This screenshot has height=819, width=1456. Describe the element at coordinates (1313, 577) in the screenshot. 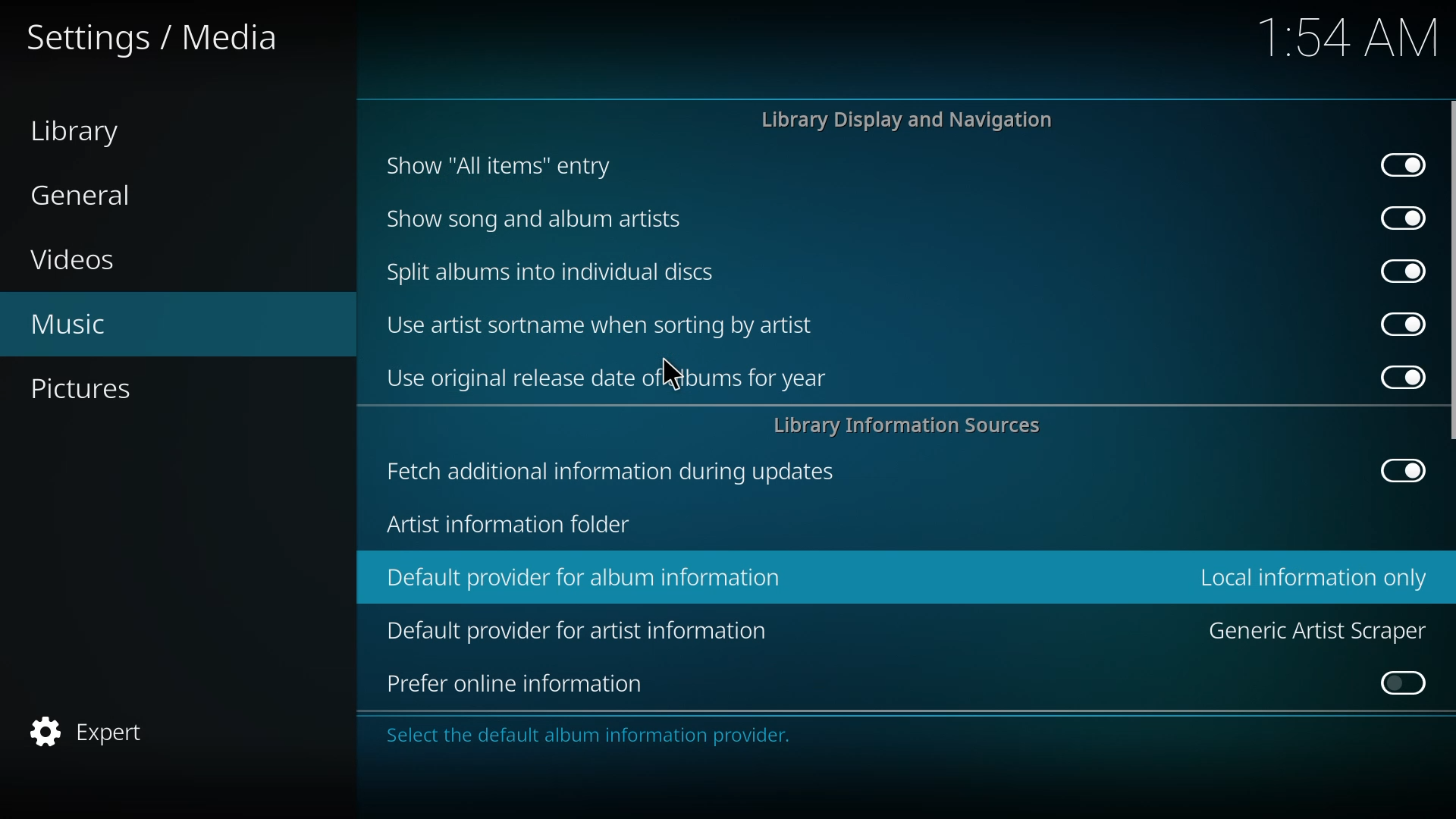

I see `local information only selected` at that location.